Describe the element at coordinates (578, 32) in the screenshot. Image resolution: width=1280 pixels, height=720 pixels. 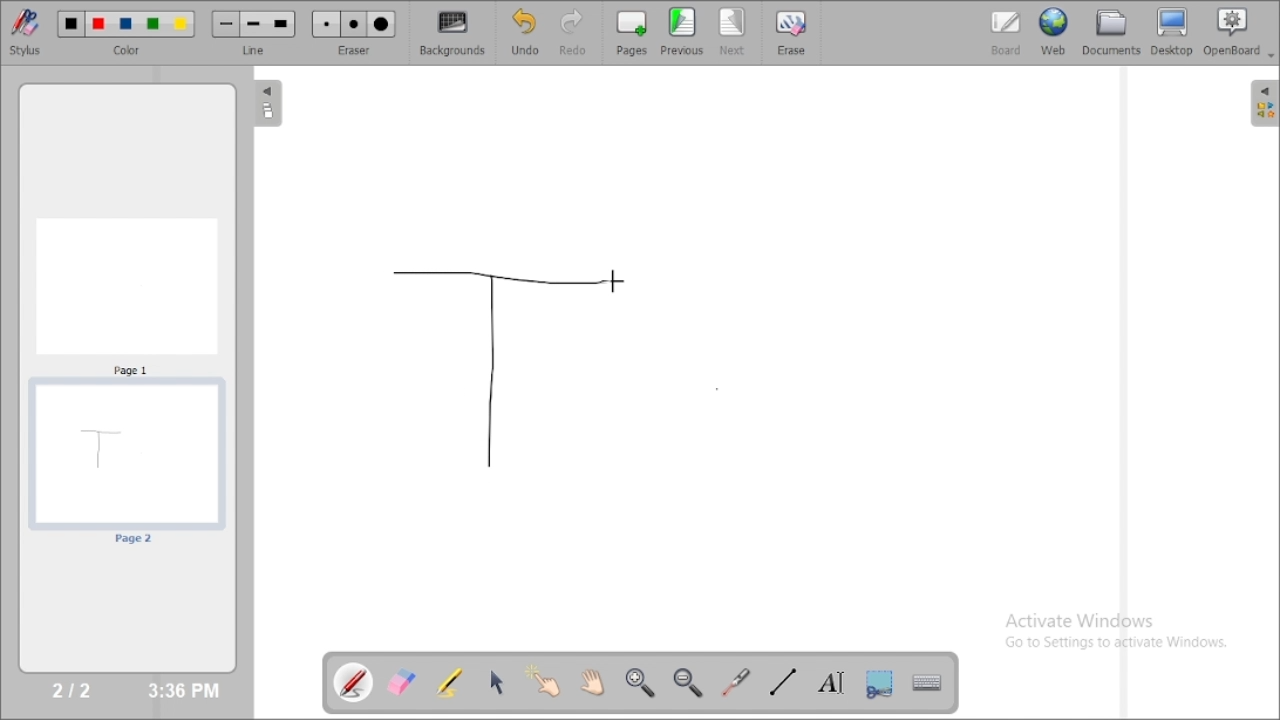
I see `redo` at that location.